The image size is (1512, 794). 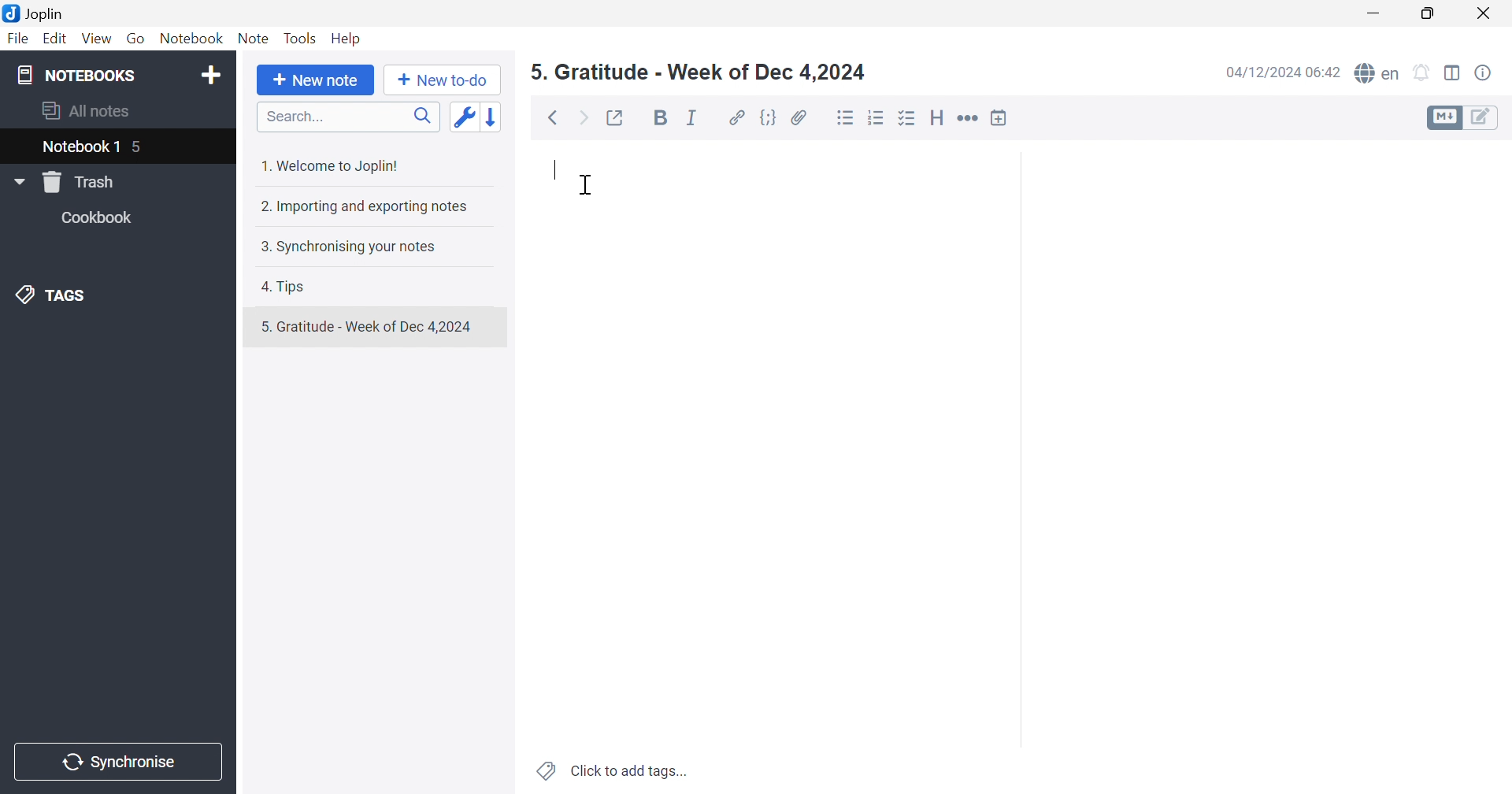 What do you see at coordinates (73, 74) in the screenshot?
I see `NOTEBOOKS` at bounding box center [73, 74].